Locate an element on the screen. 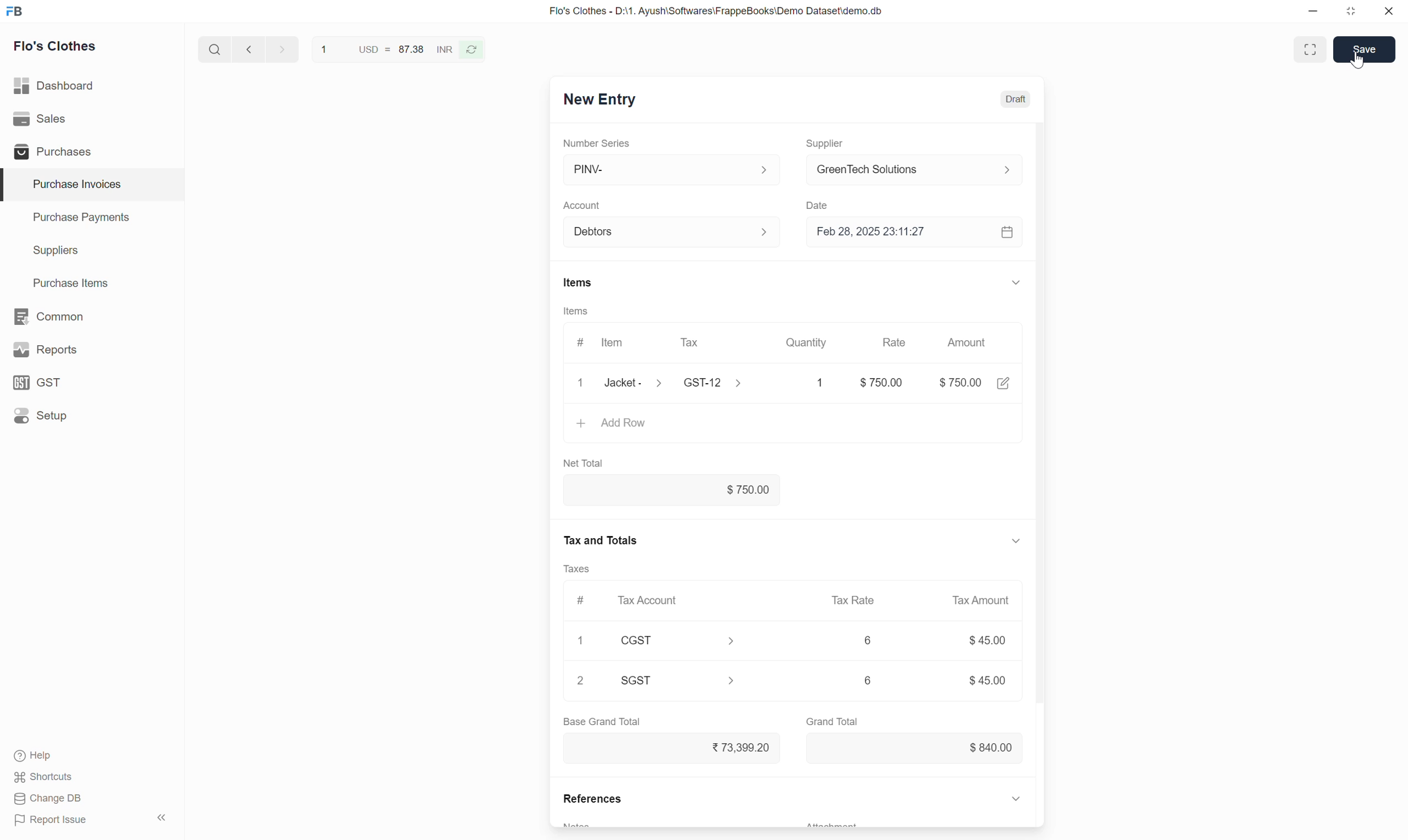 The image size is (1408, 840). Tax is located at coordinates (712, 343).